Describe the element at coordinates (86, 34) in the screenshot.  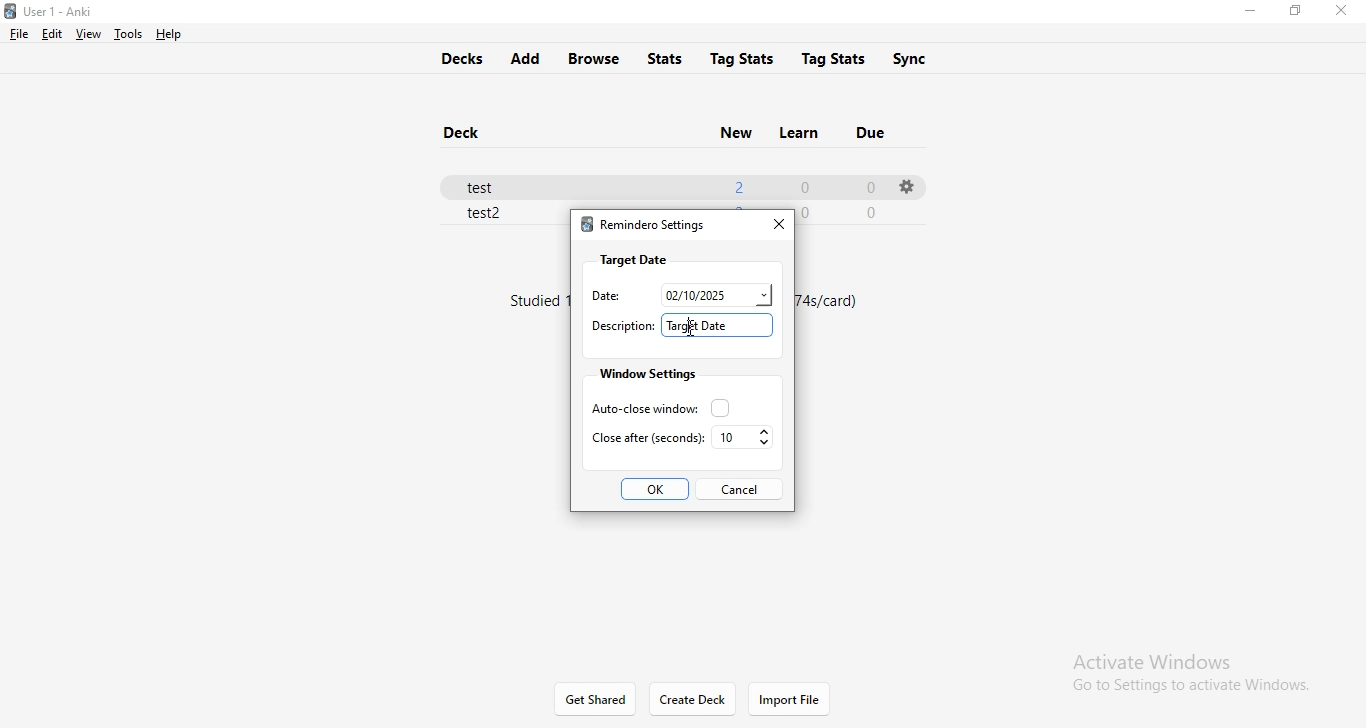
I see `view` at that location.